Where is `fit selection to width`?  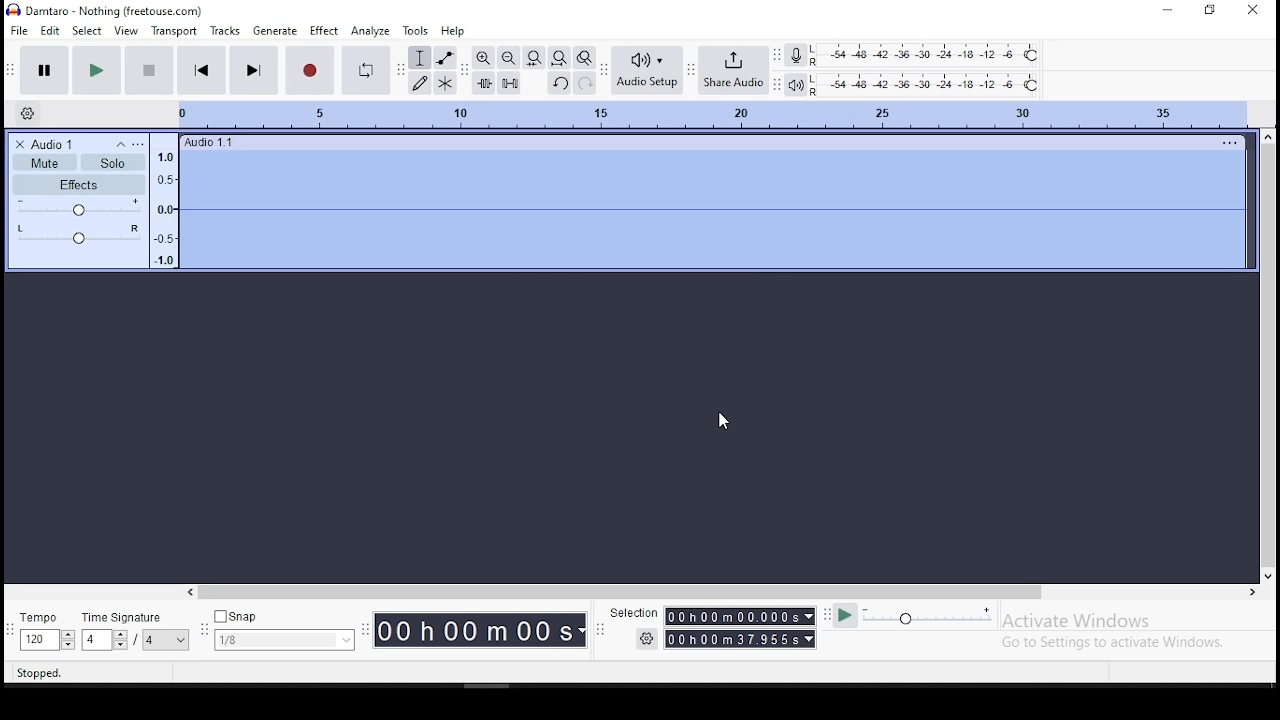
fit selection to width is located at coordinates (531, 57).